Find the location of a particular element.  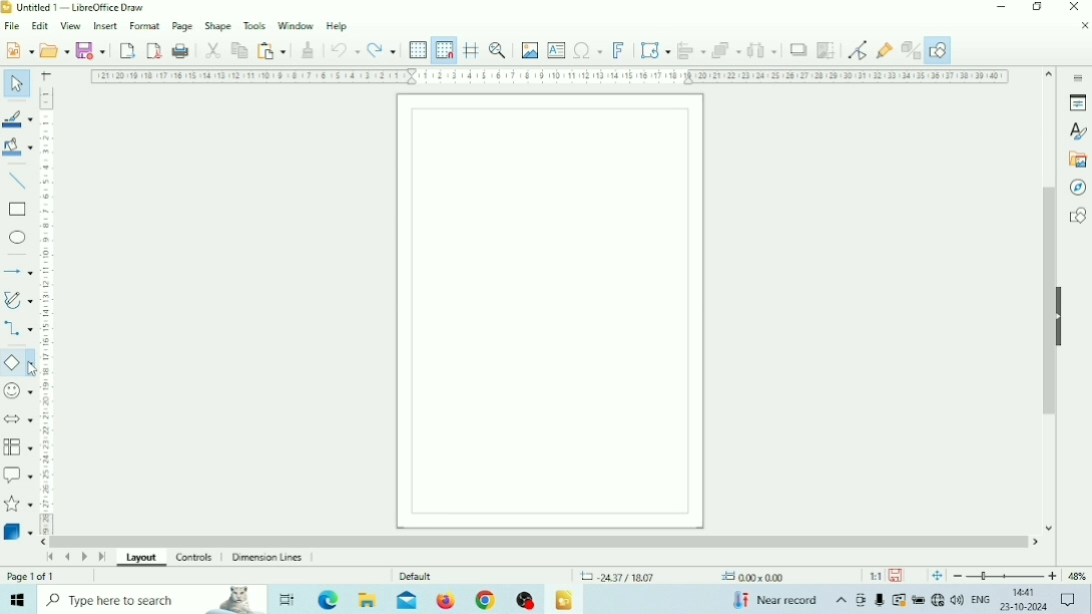

 is located at coordinates (1864, 87).